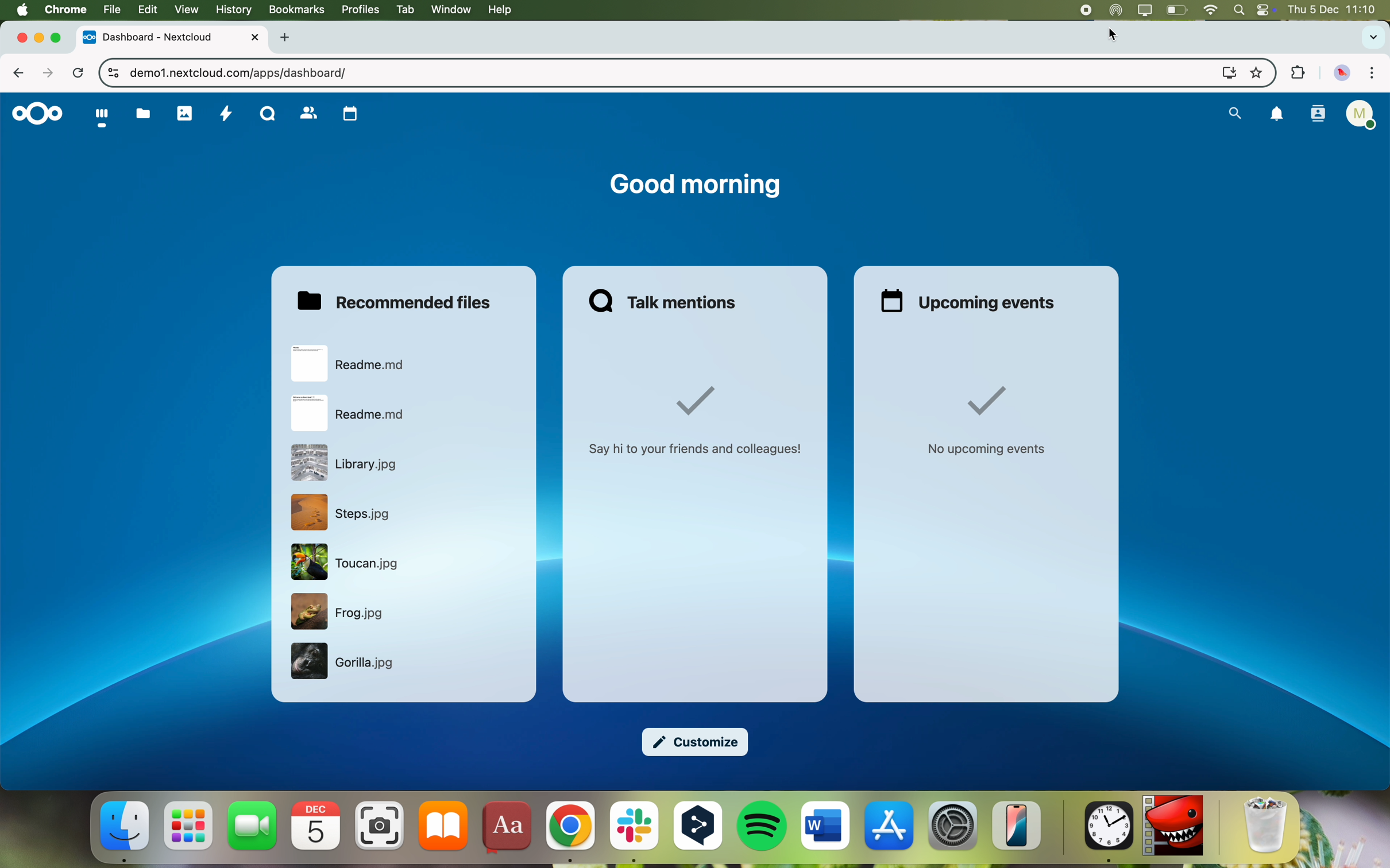  What do you see at coordinates (398, 300) in the screenshot?
I see `recommended files` at bounding box center [398, 300].